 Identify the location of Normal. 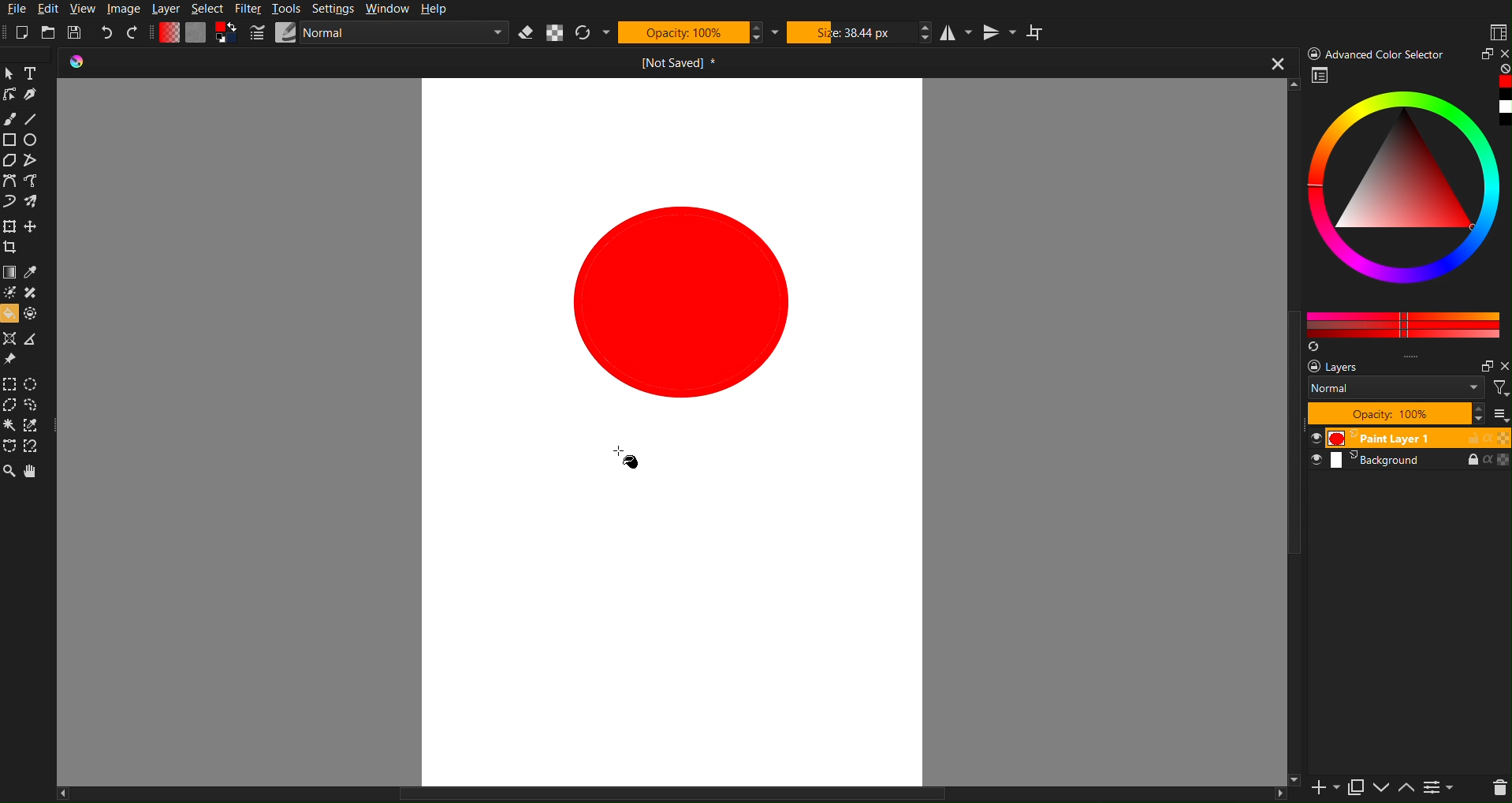
(1393, 390).